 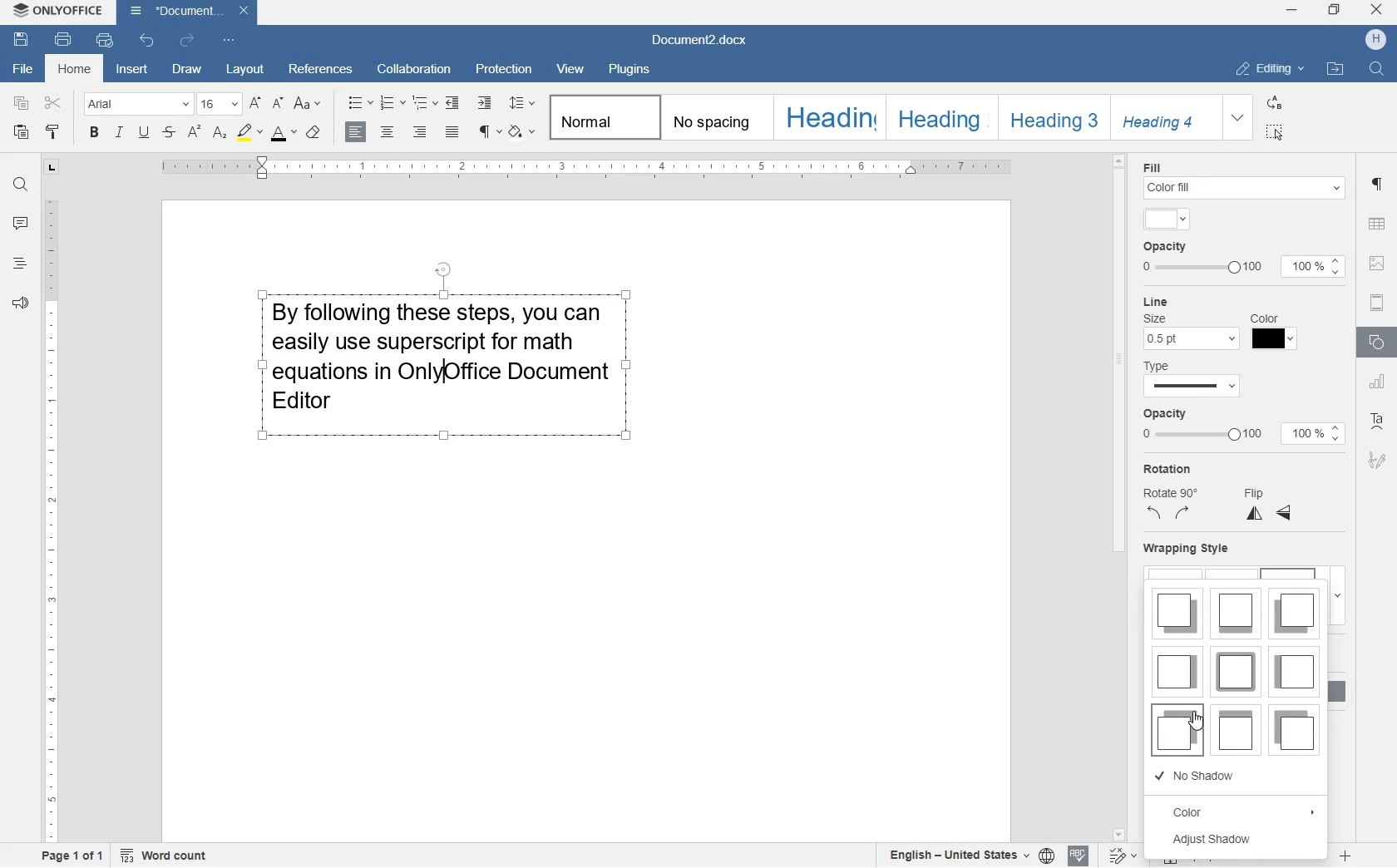 I want to click on ADJUST SHADOW, so click(x=1232, y=838).